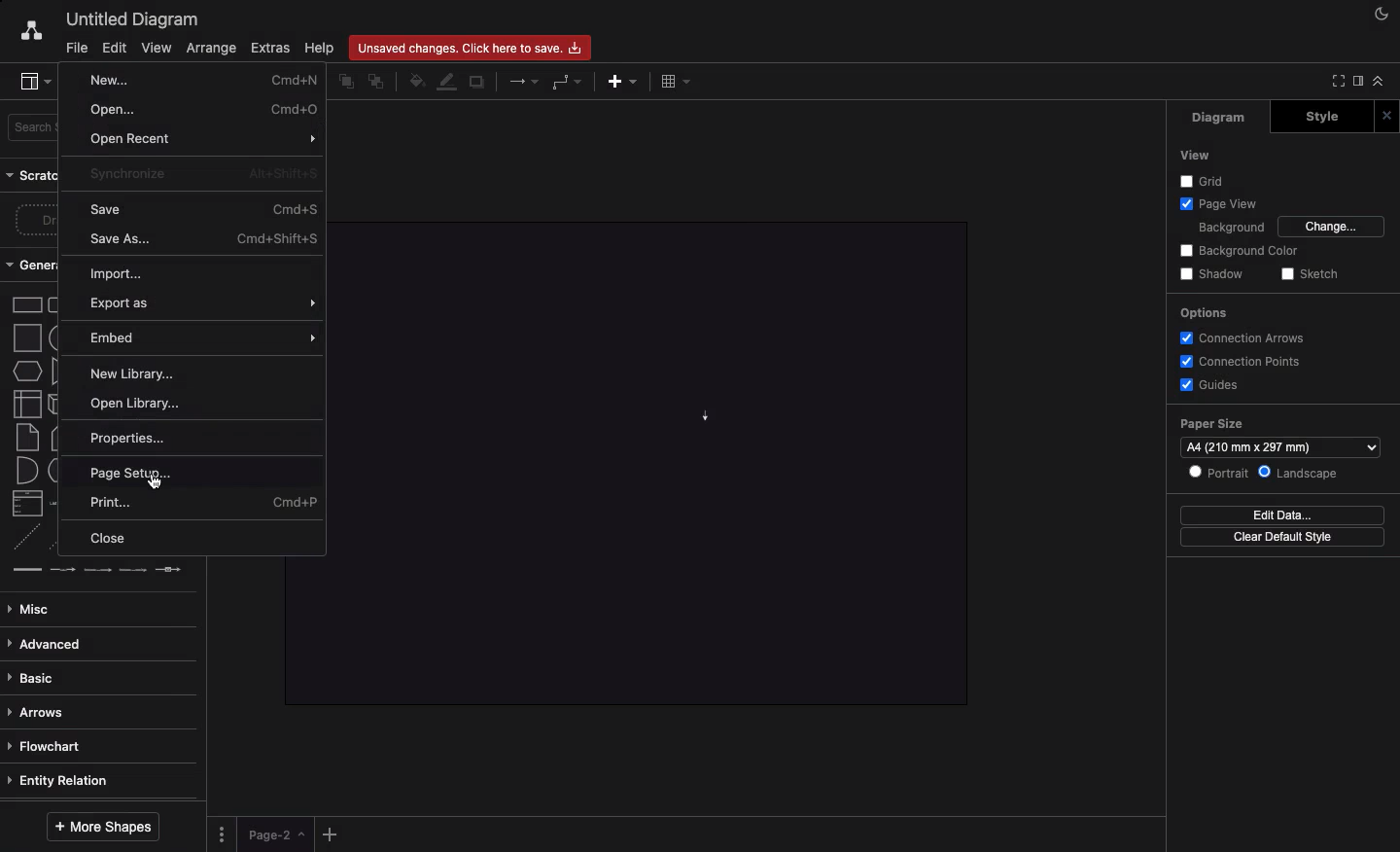  Describe the element at coordinates (34, 128) in the screenshot. I see `Search shapes` at that location.